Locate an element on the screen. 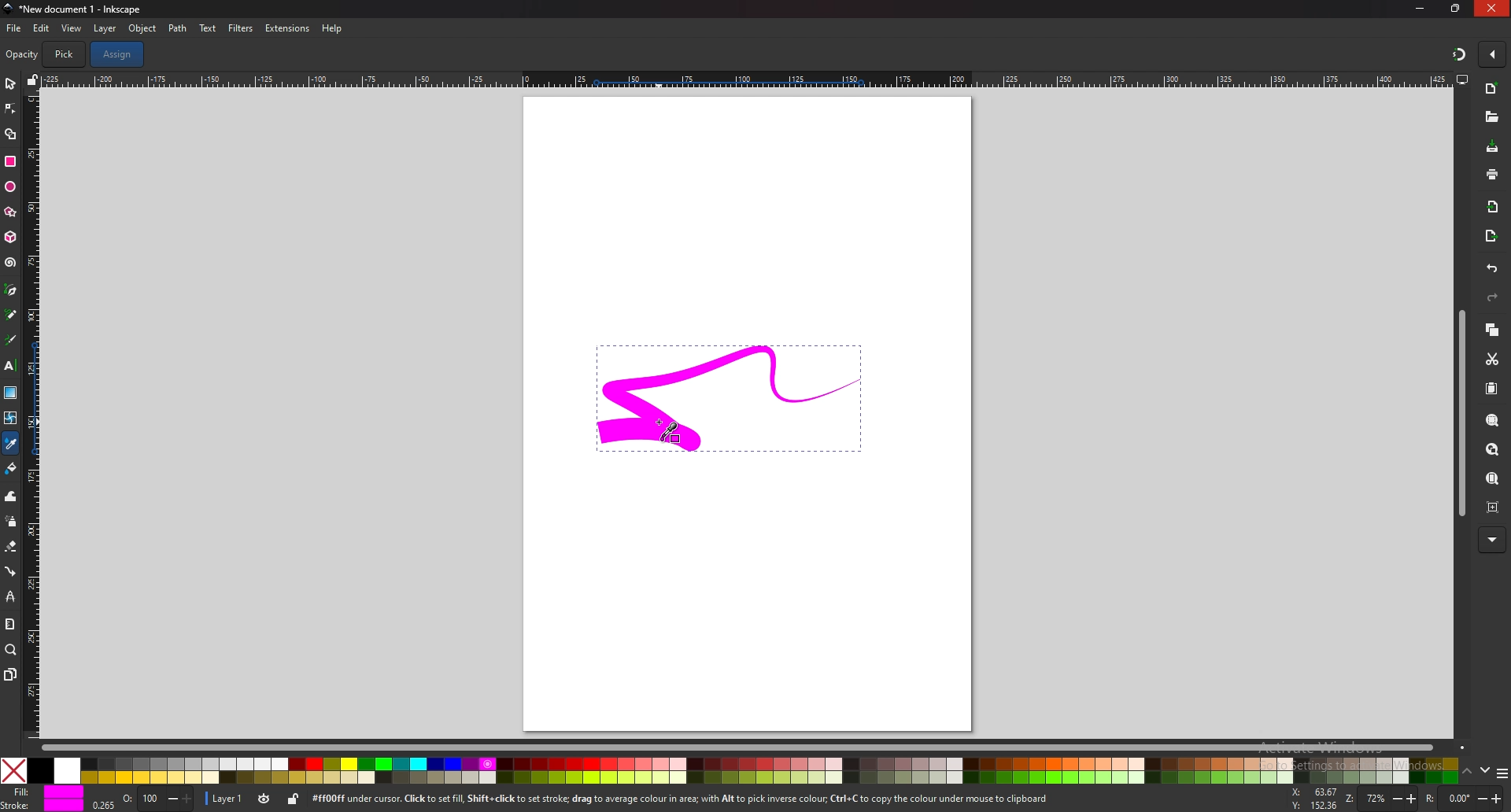  spray is located at coordinates (10, 522).